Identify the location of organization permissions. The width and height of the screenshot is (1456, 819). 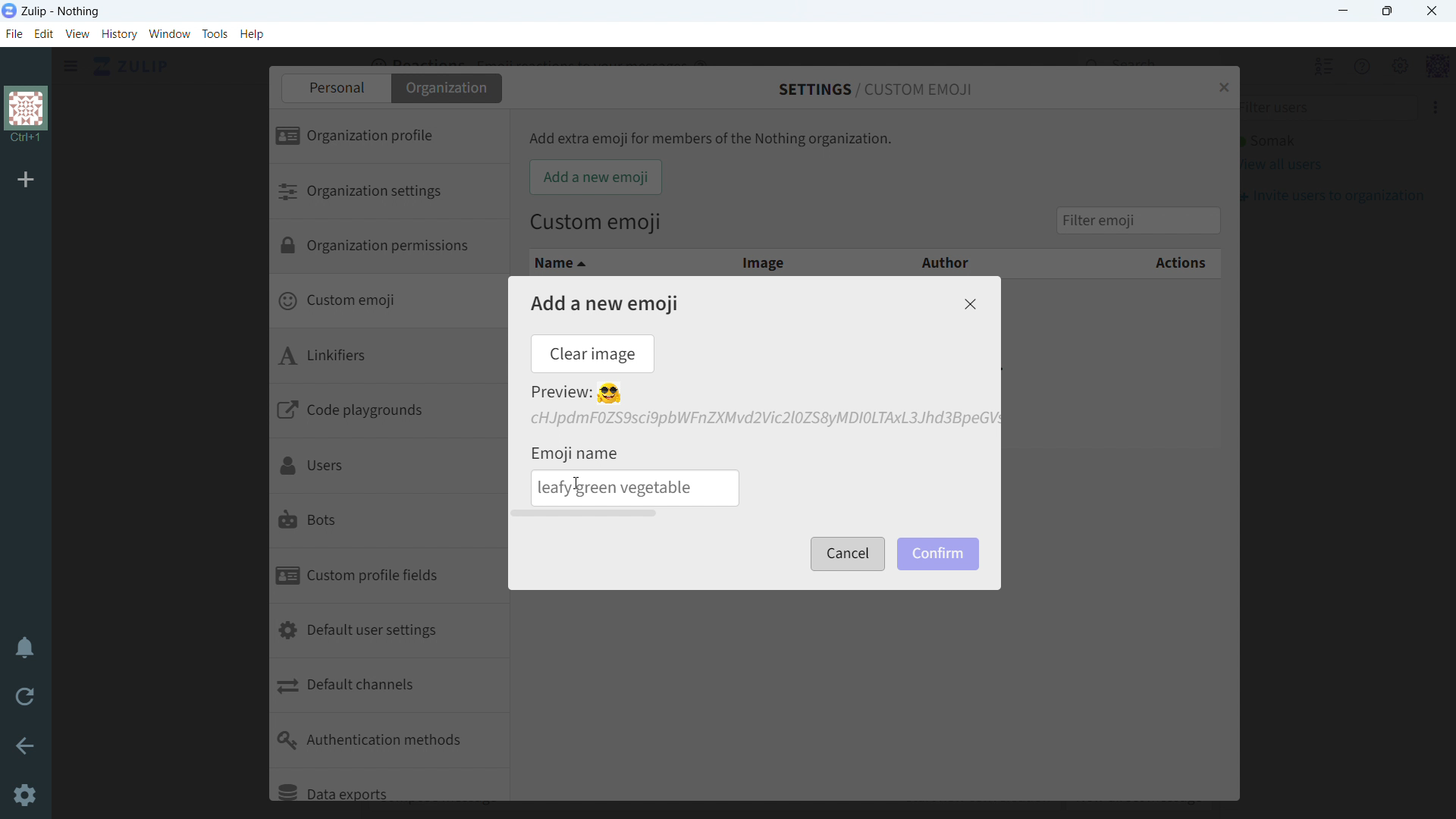
(388, 249).